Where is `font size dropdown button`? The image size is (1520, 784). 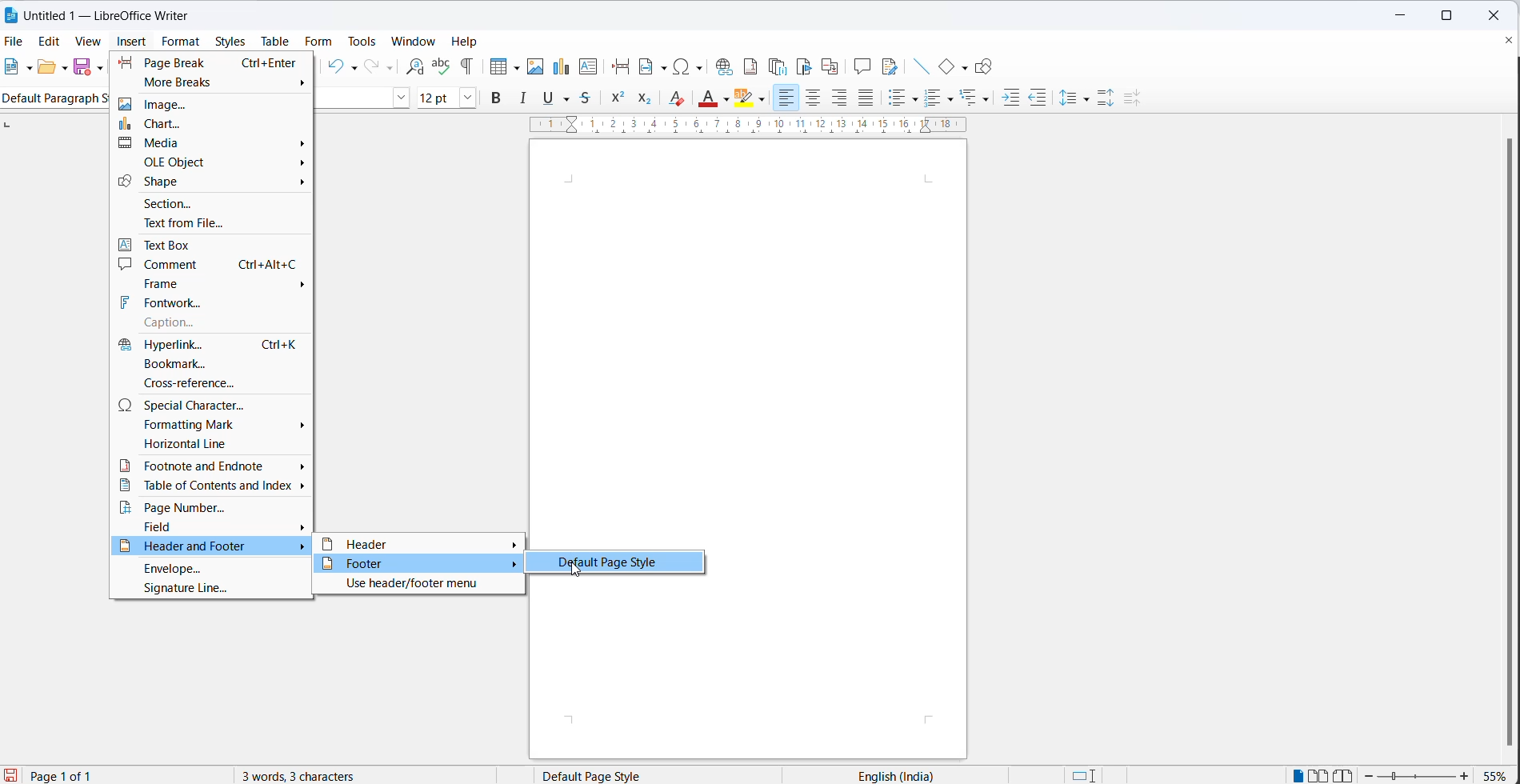
font size dropdown button is located at coordinates (467, 98).